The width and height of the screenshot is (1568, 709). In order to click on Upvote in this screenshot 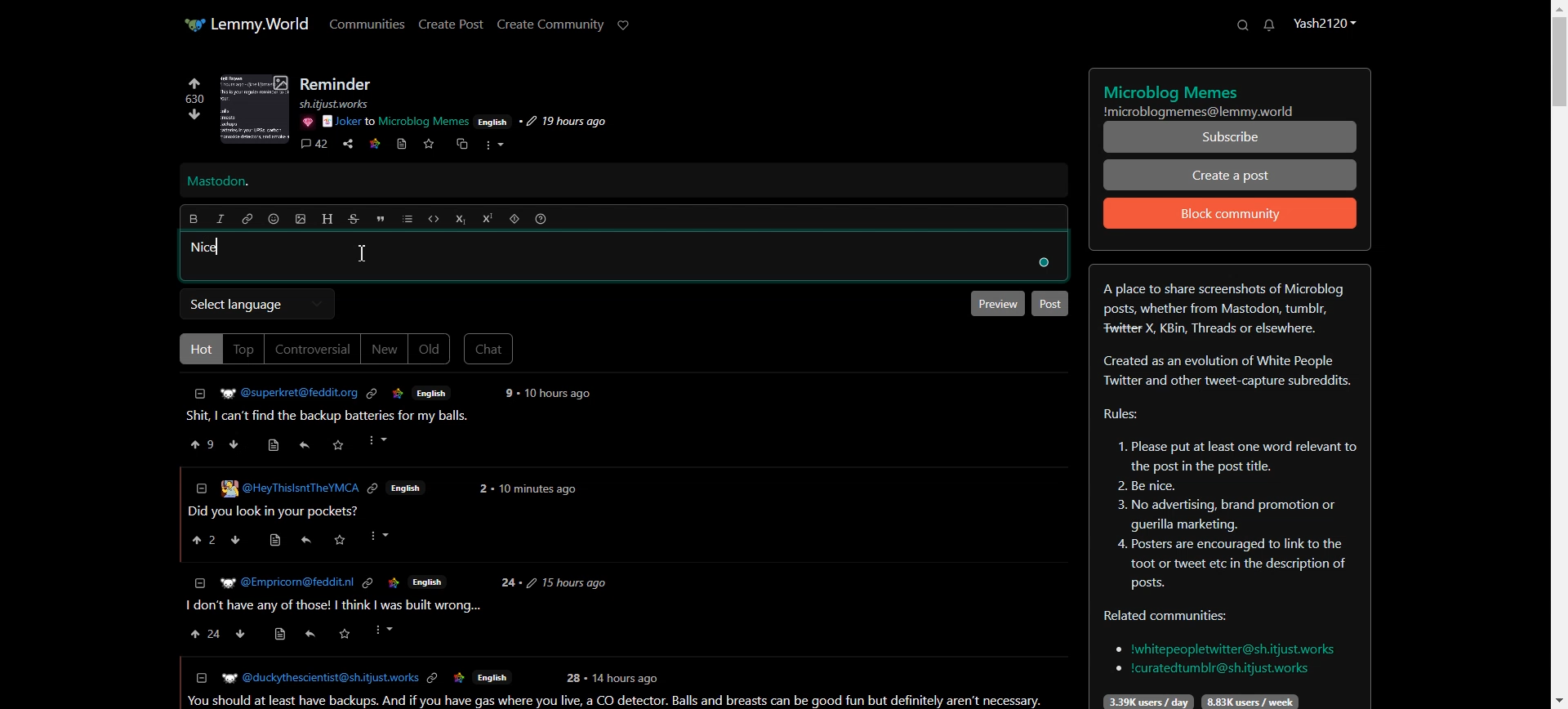, I will do `click(203, 444)`.